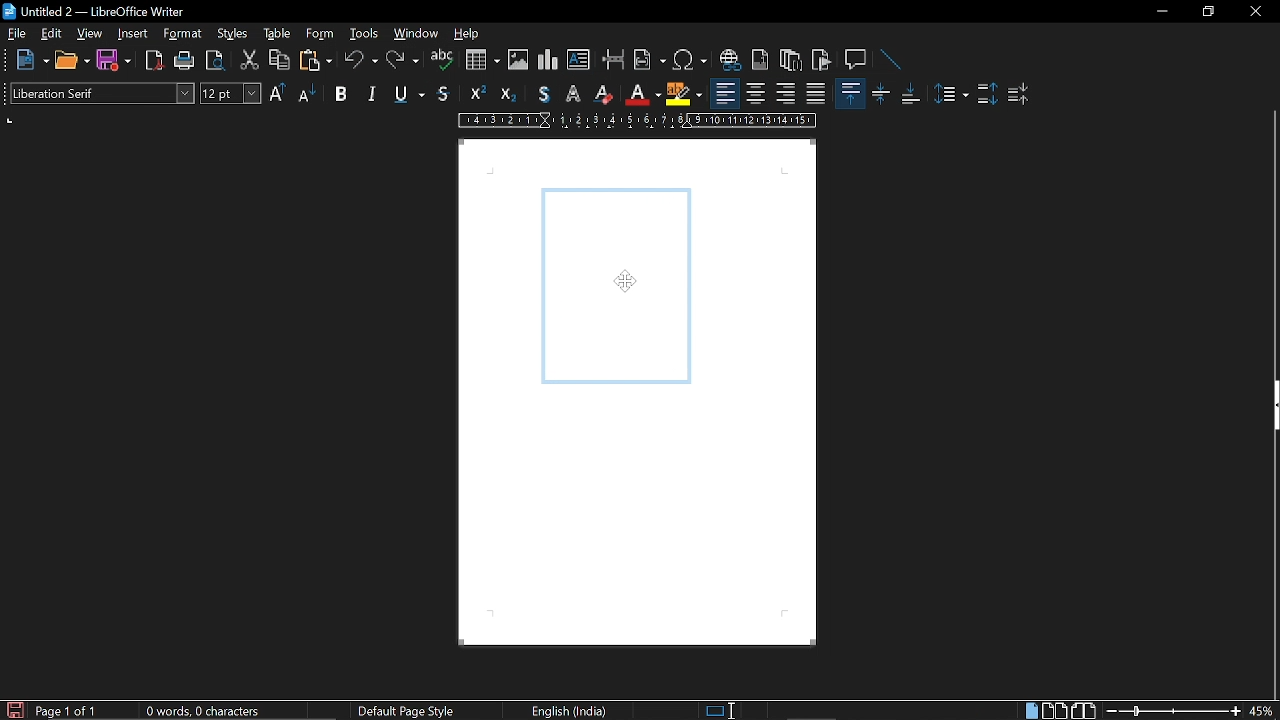 This screenshot has width=1280, height=720. What do you see at coordinates (481, 95) in the screenshot?
I see `superscript` at bounding box center [481, 95].